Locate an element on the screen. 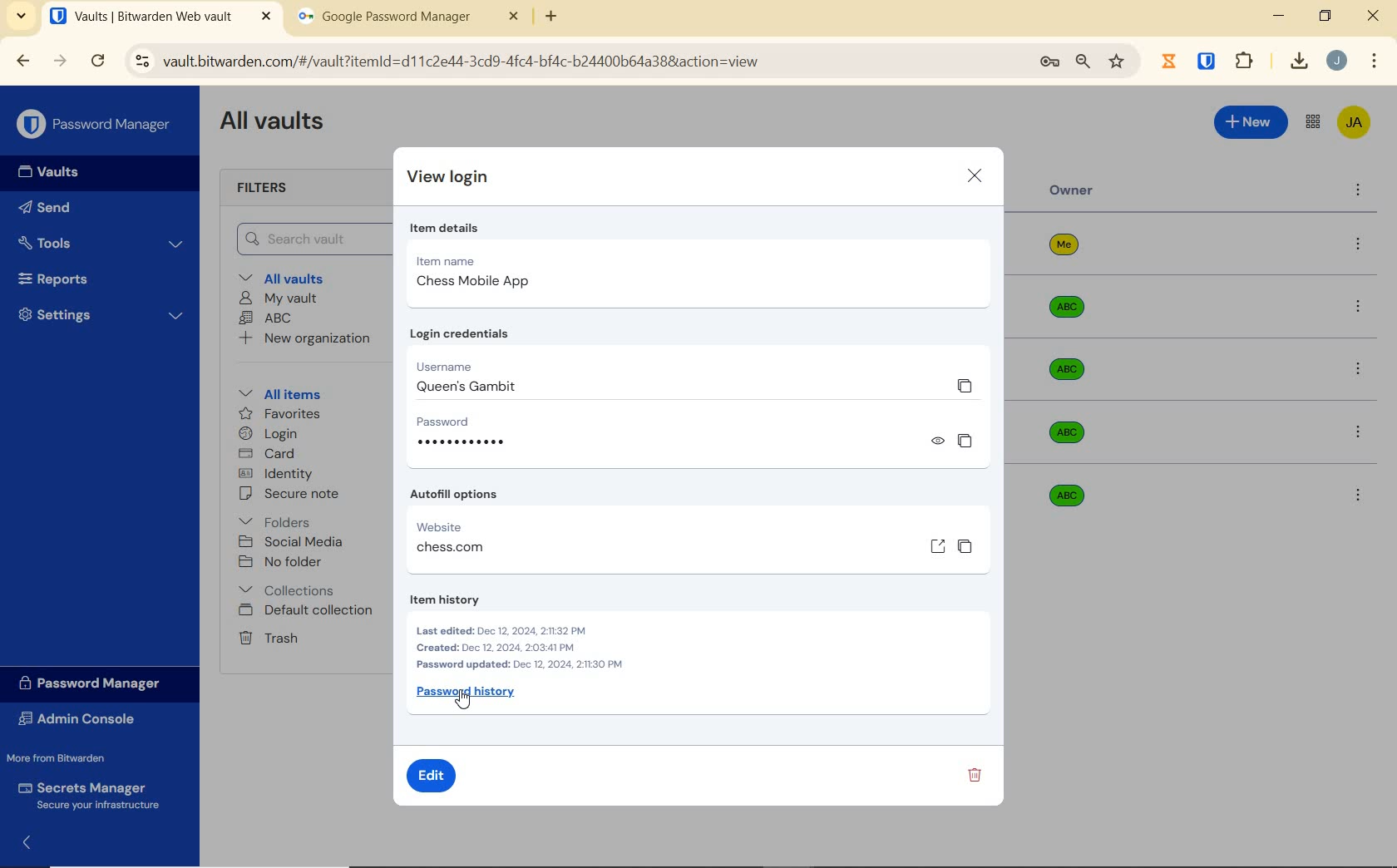  forward is located at coordinates (59, 62).